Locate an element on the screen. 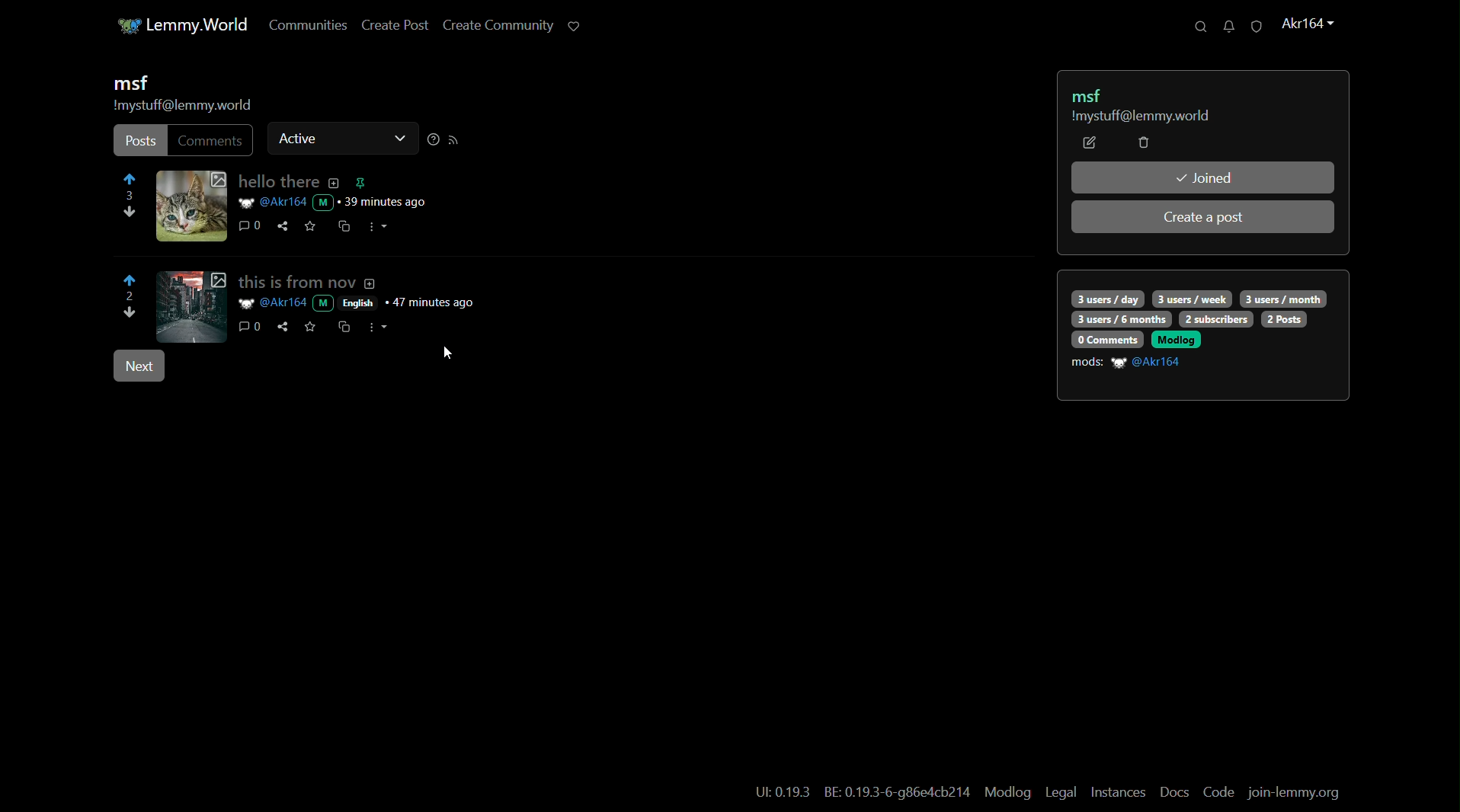 The width and height of the screenshot is (1460, 812). unread reports is located at coordinates (1255, 27).